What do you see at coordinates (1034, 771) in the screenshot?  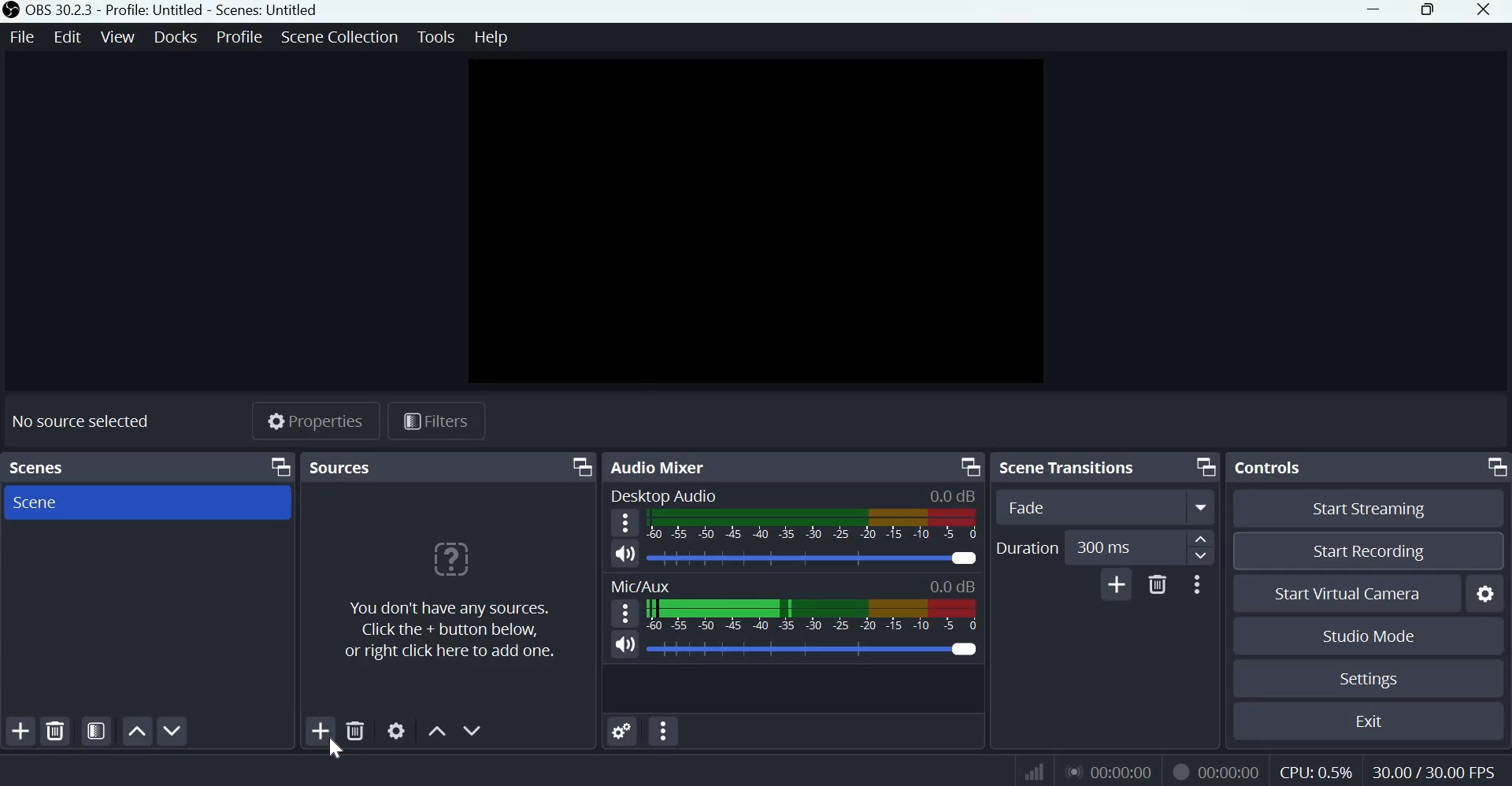 I see `Connection Status Indicator` at bounding box center [1034, 771].